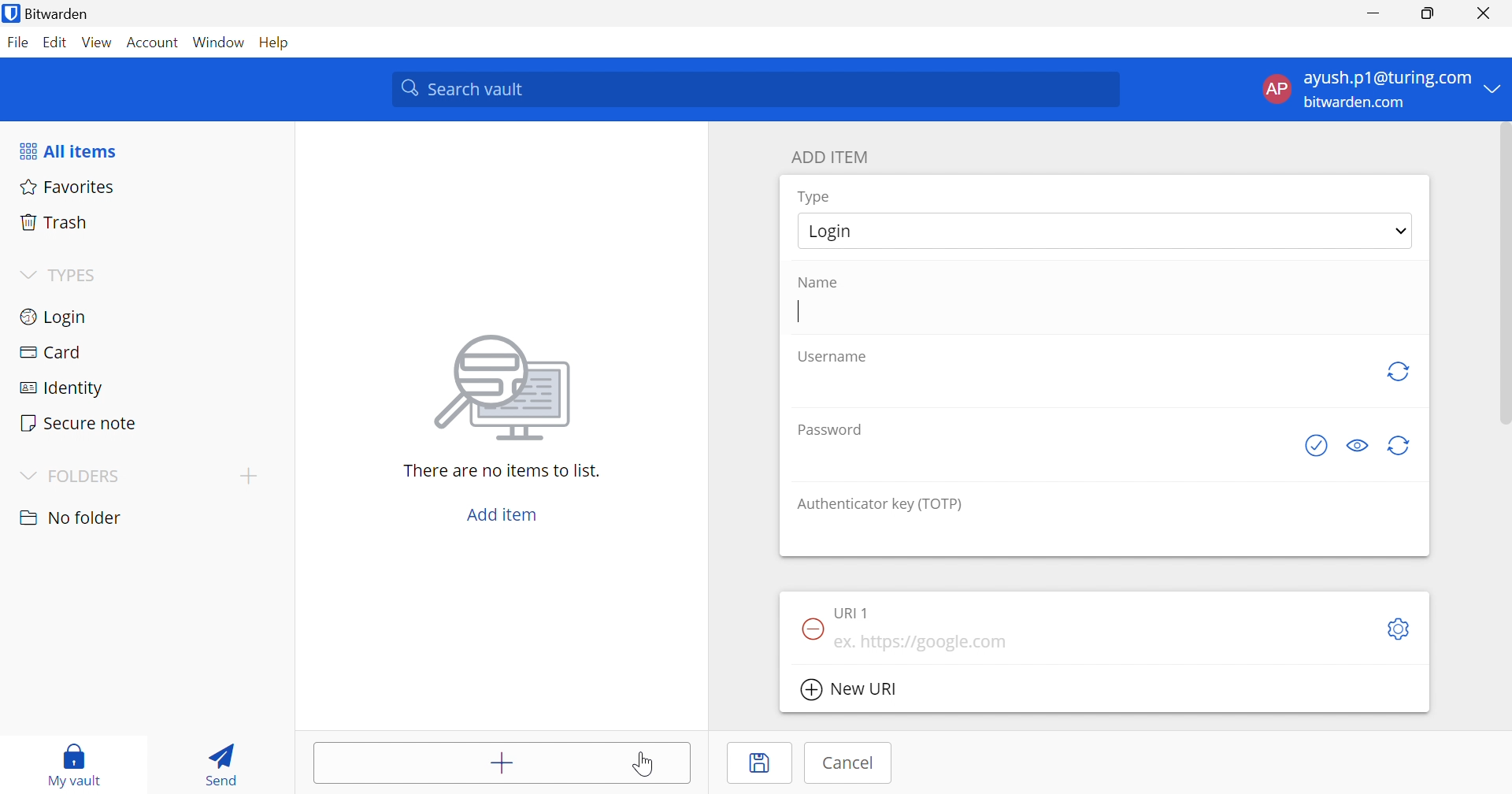 The height and width of the screenshot is (794, 1512). Describe the element at coordinates (1385, 78) in the screenshot. I see `ayush.p1@gmail.com` at that location.